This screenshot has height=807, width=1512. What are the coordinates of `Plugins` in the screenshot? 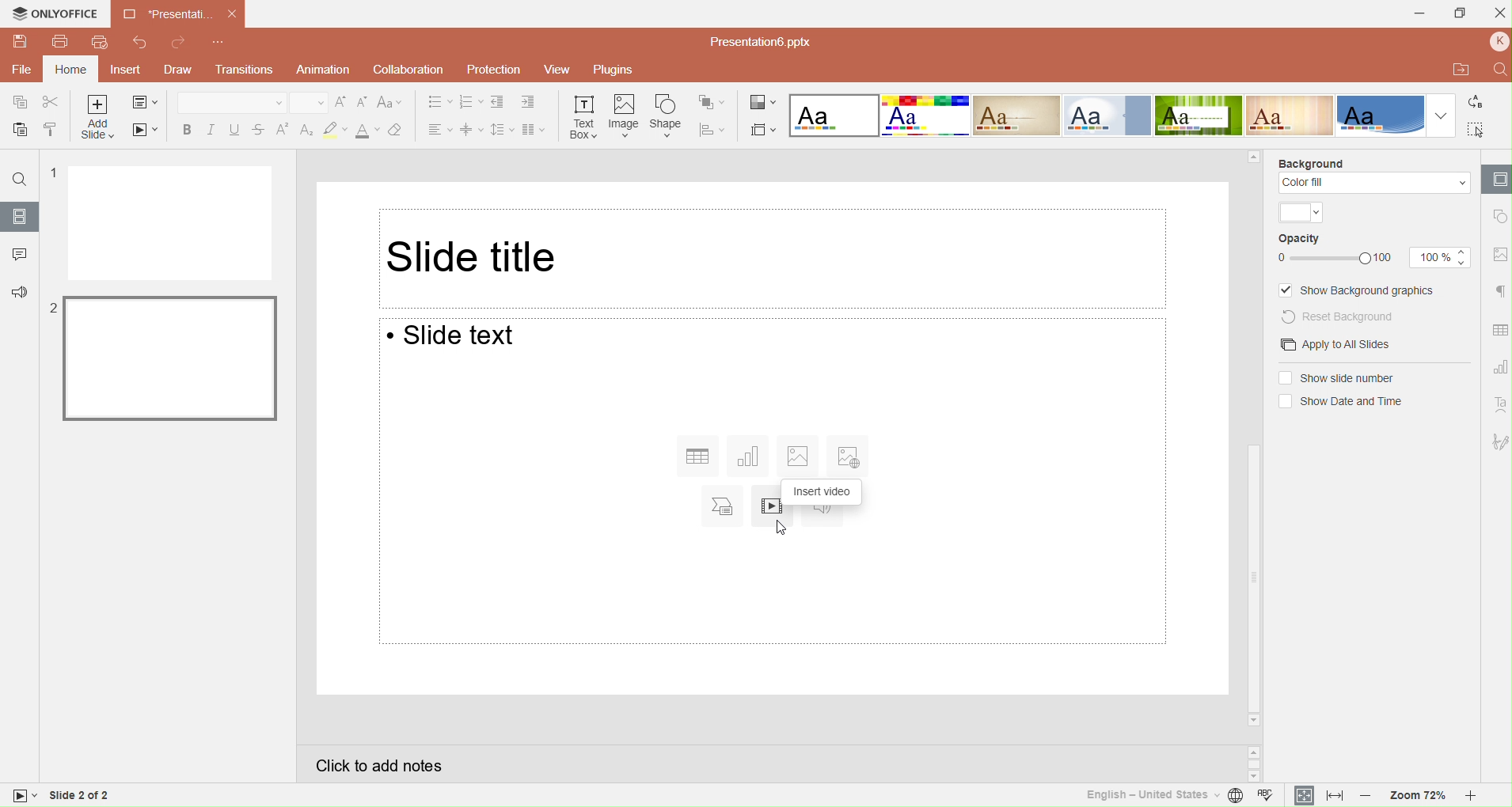 It's located at (613, 70).